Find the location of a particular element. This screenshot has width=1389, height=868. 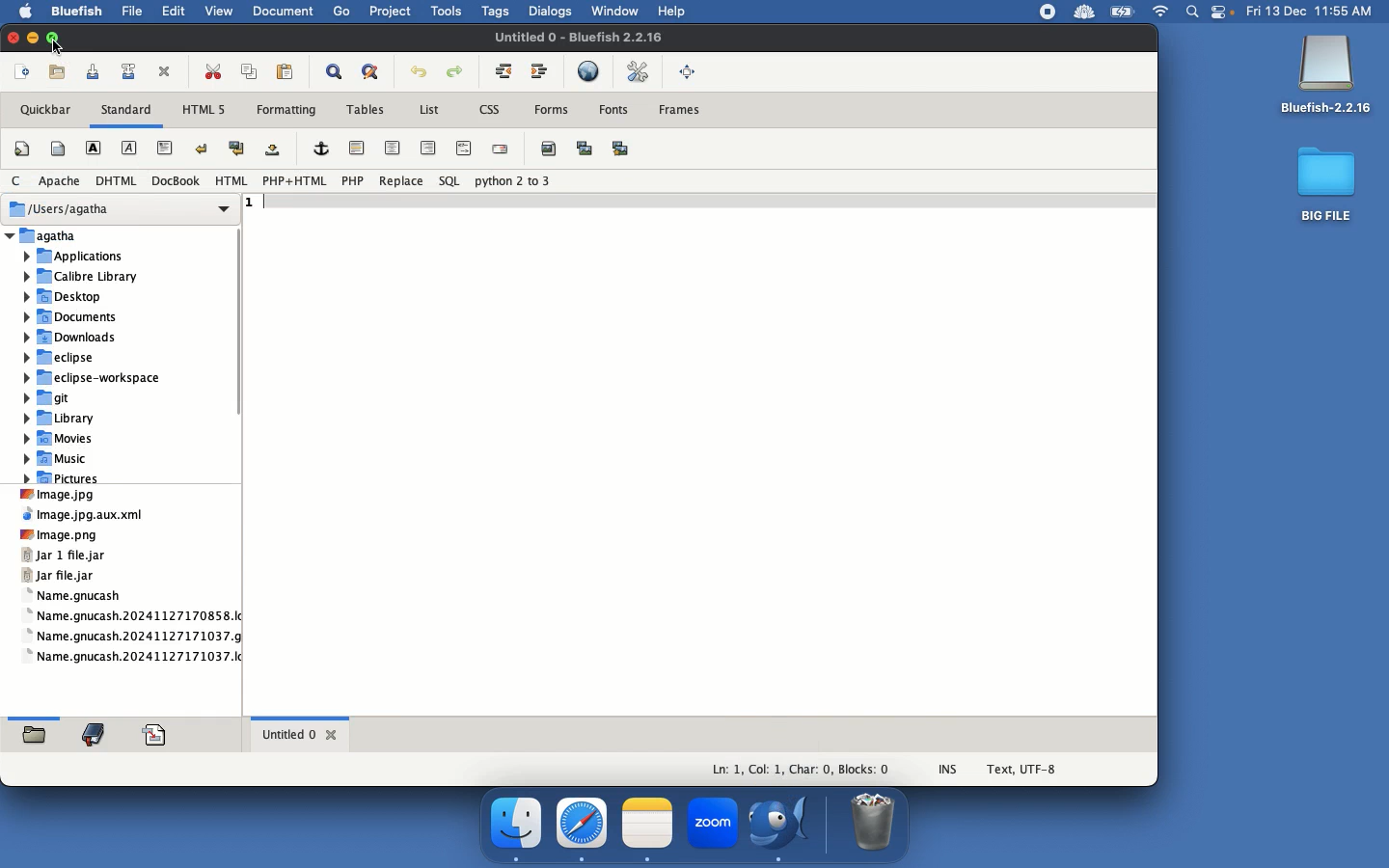

Hyperlink is located at coordinates (324, 149).